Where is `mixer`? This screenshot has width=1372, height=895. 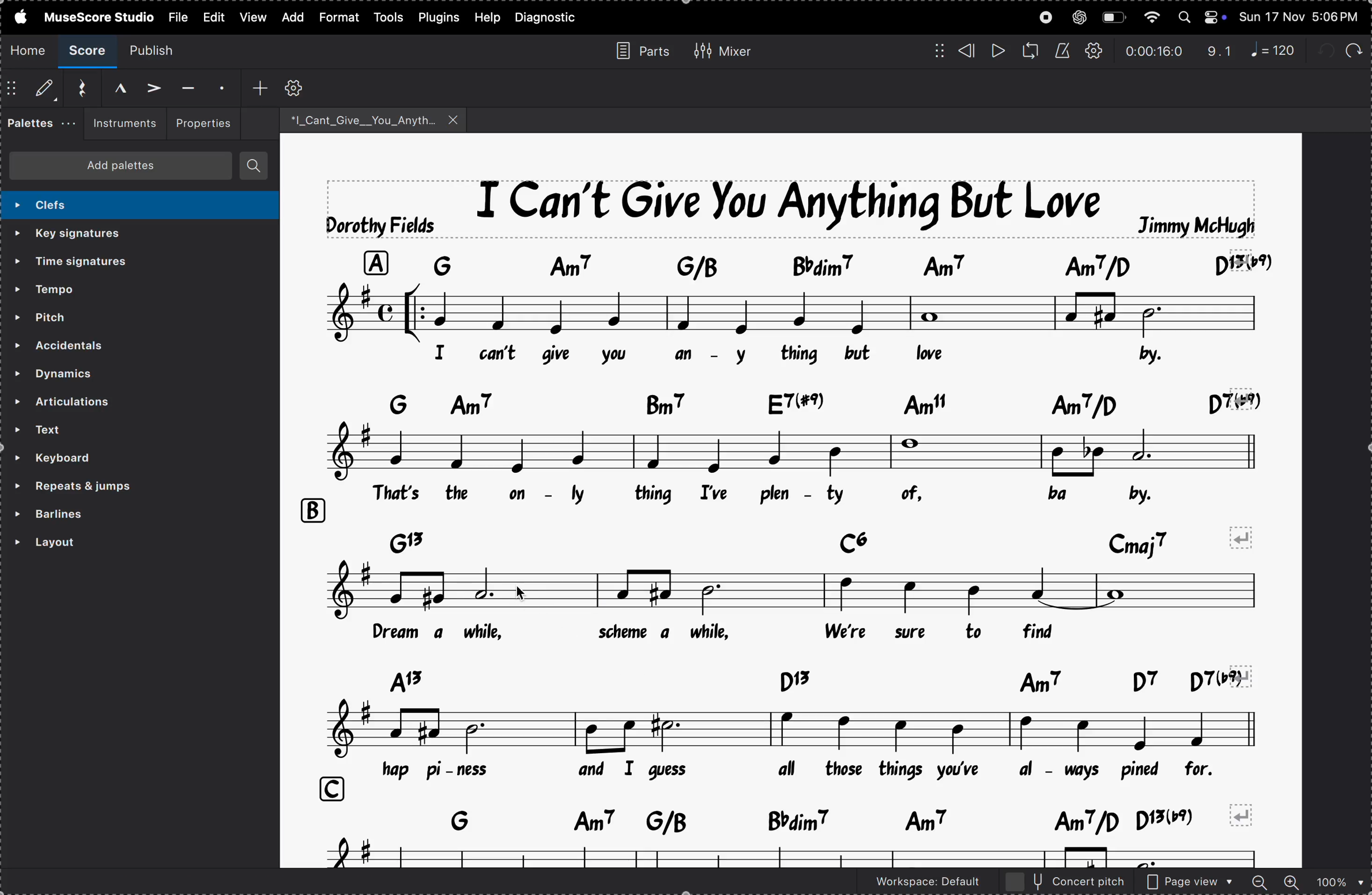 mixer is located at coordinates (722, 49).